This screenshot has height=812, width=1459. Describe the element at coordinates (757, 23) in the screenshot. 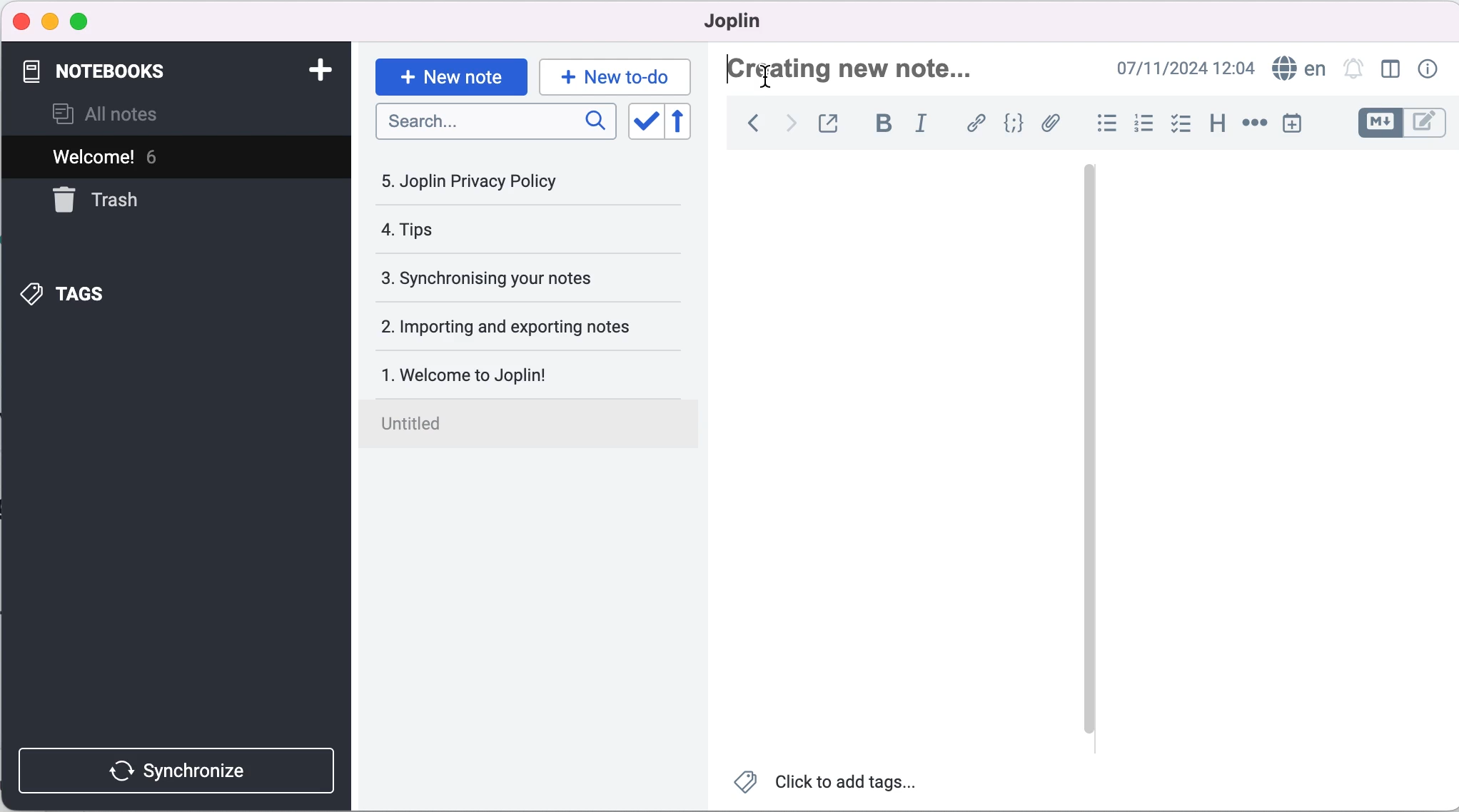

I see `joplin` at that location.